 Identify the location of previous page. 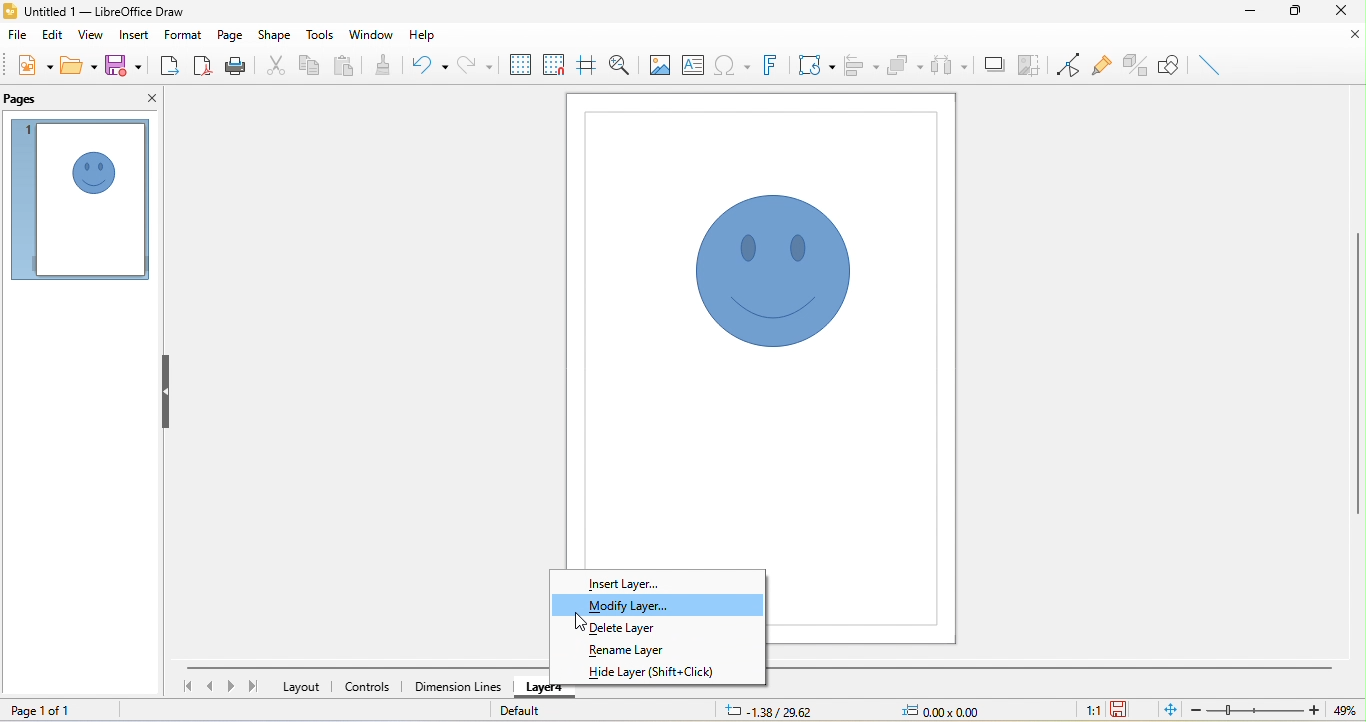
(209, 686).